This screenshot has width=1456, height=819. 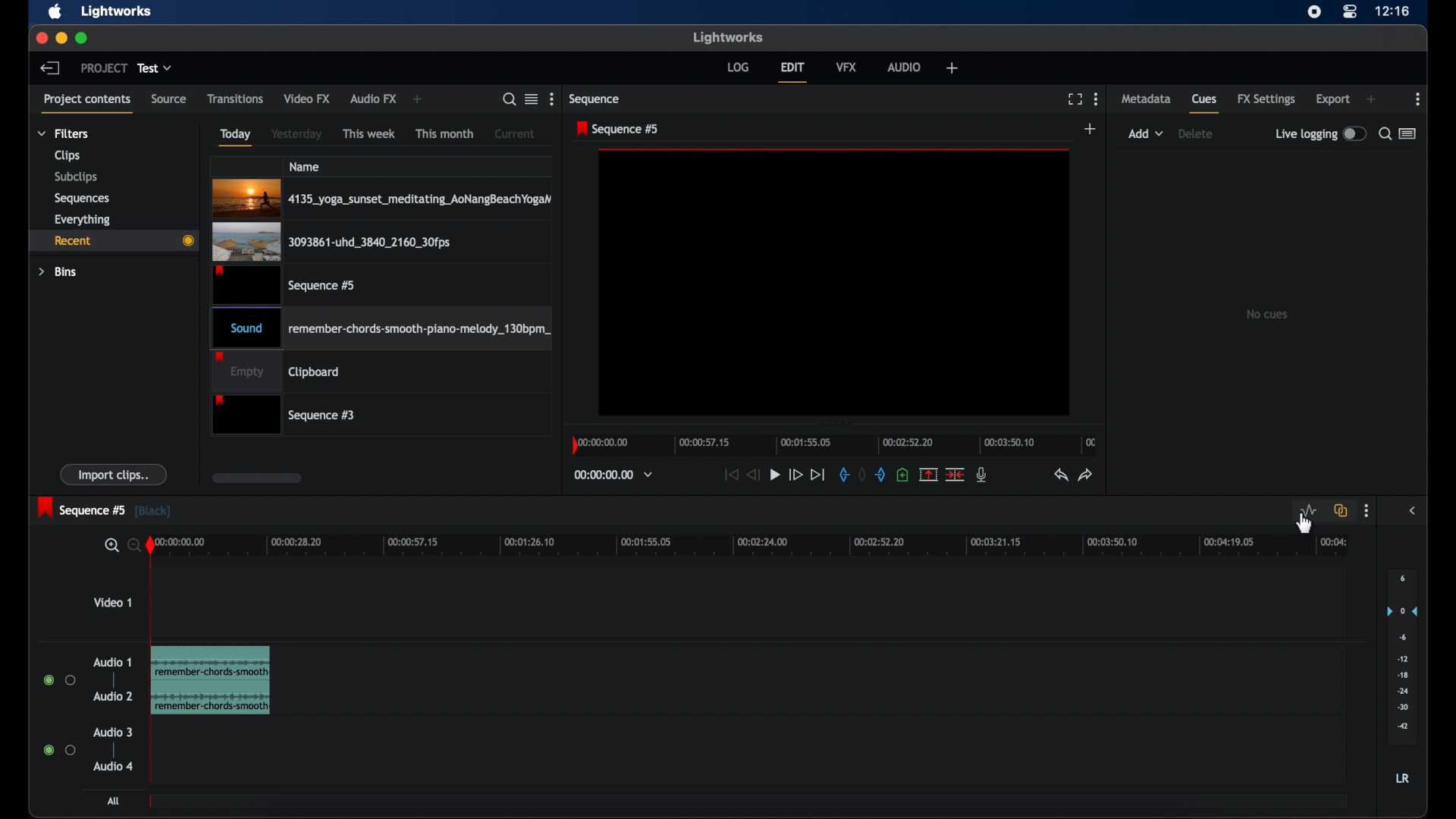 I want to click on audio fx, so click(x=372, y=99).